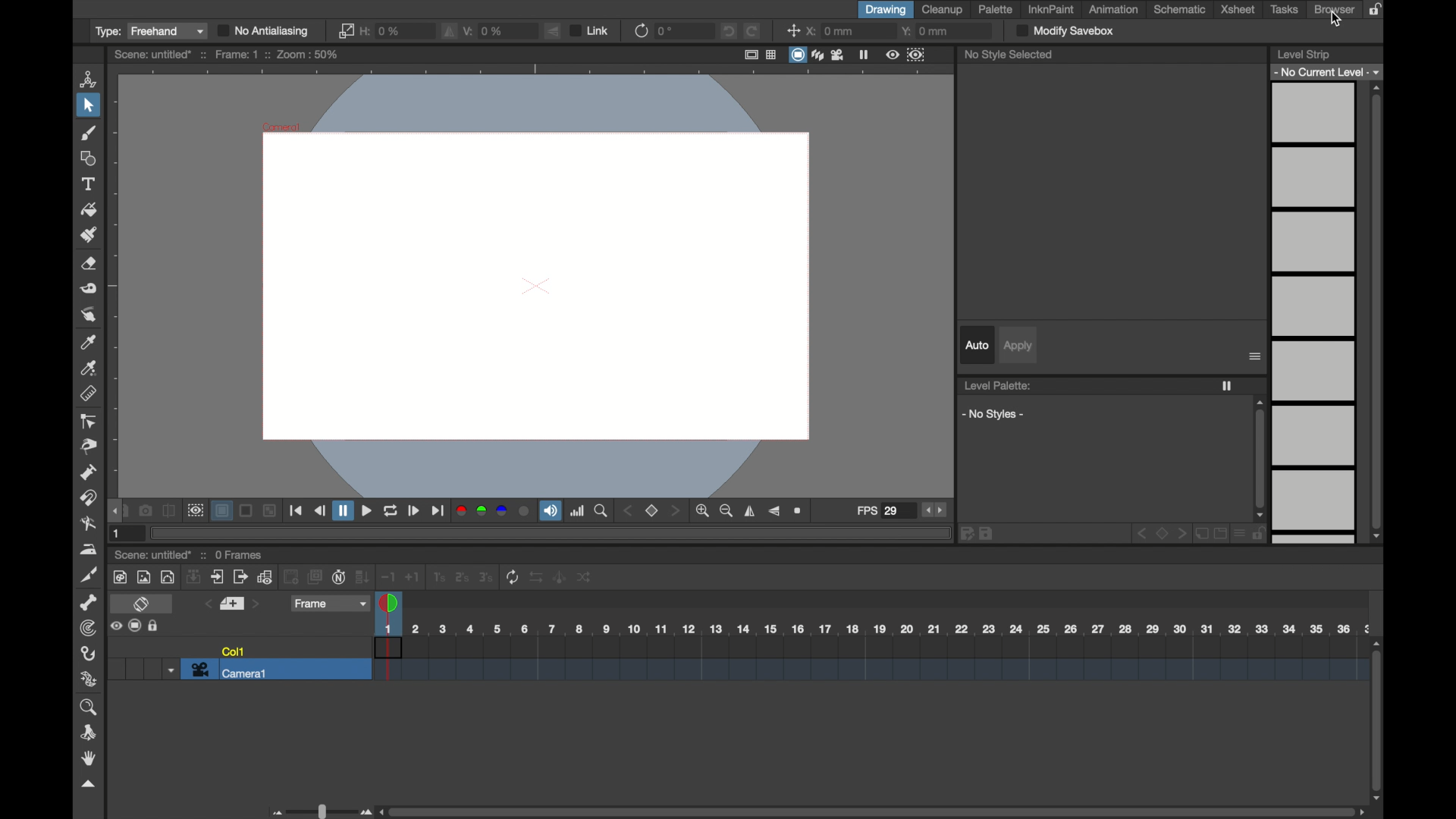 This screenshot has width=1456, height=819. I want to click on y, so click(924, 30).